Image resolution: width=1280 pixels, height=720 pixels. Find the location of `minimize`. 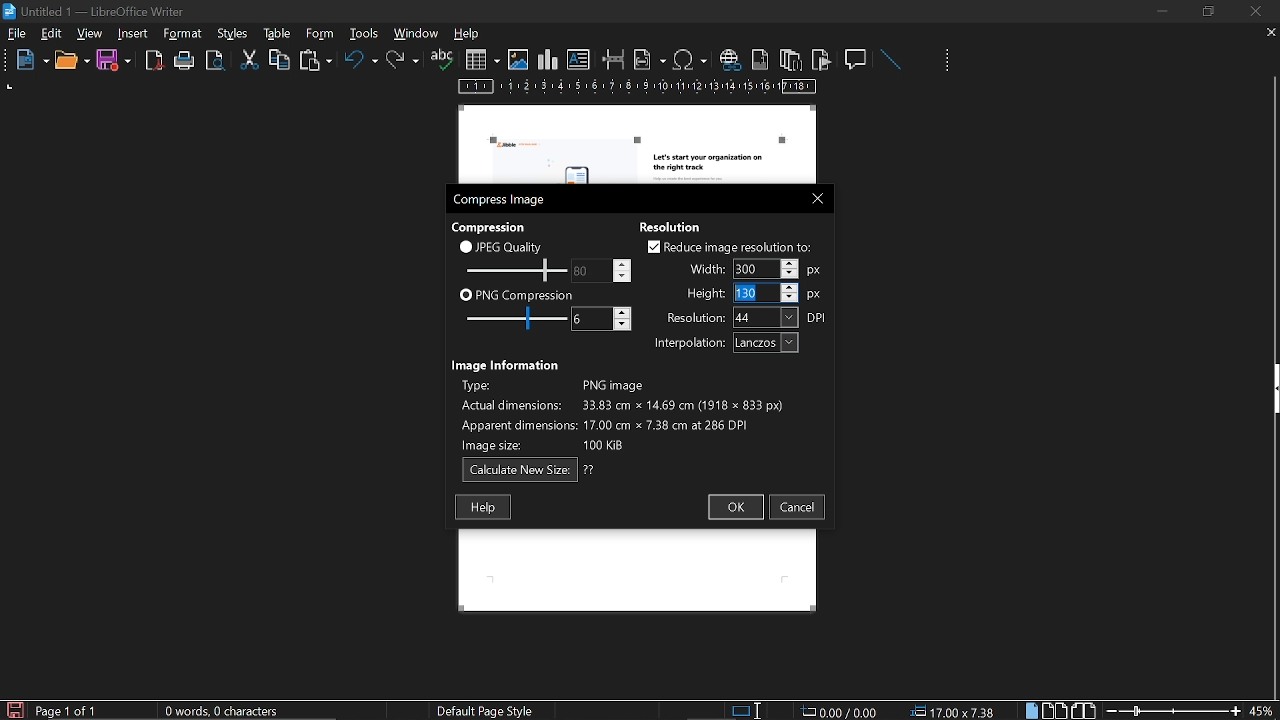

minimize is located at coordinates (1162, 11).